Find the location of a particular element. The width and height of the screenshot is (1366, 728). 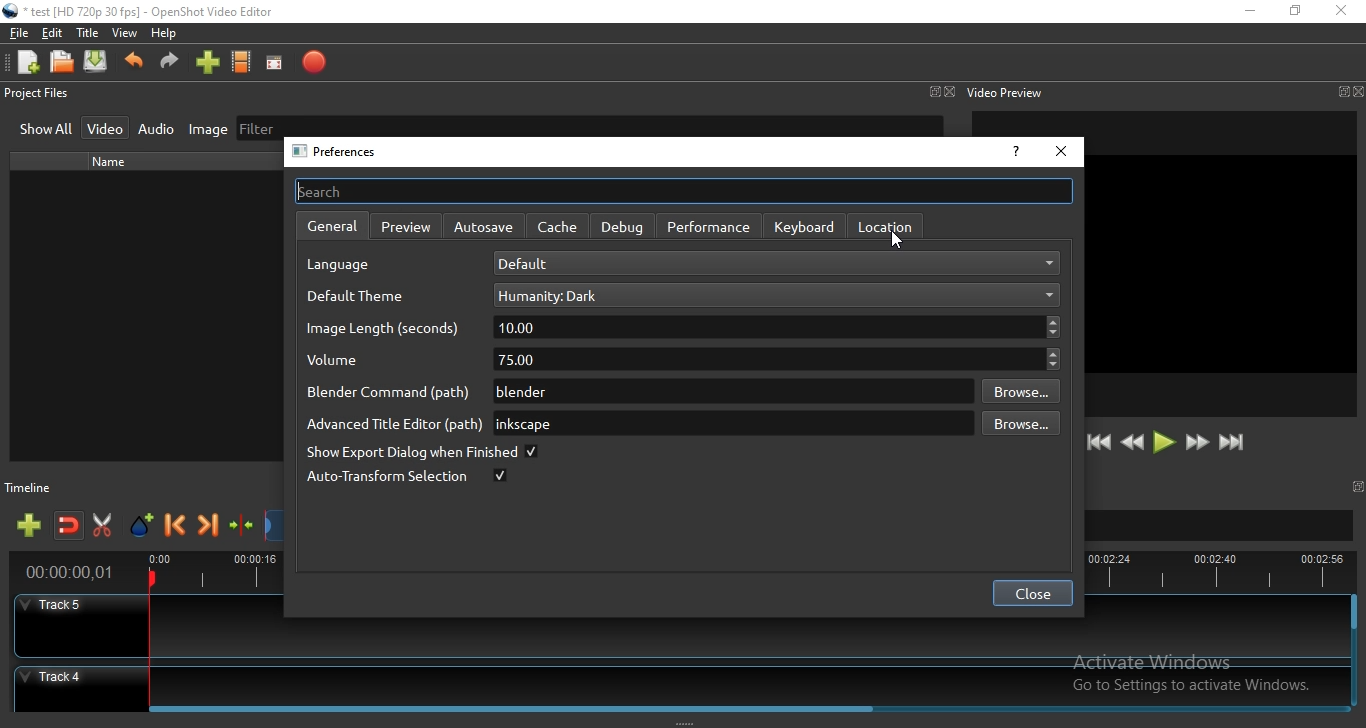

Full screen  is located at coordinates (278, 63).